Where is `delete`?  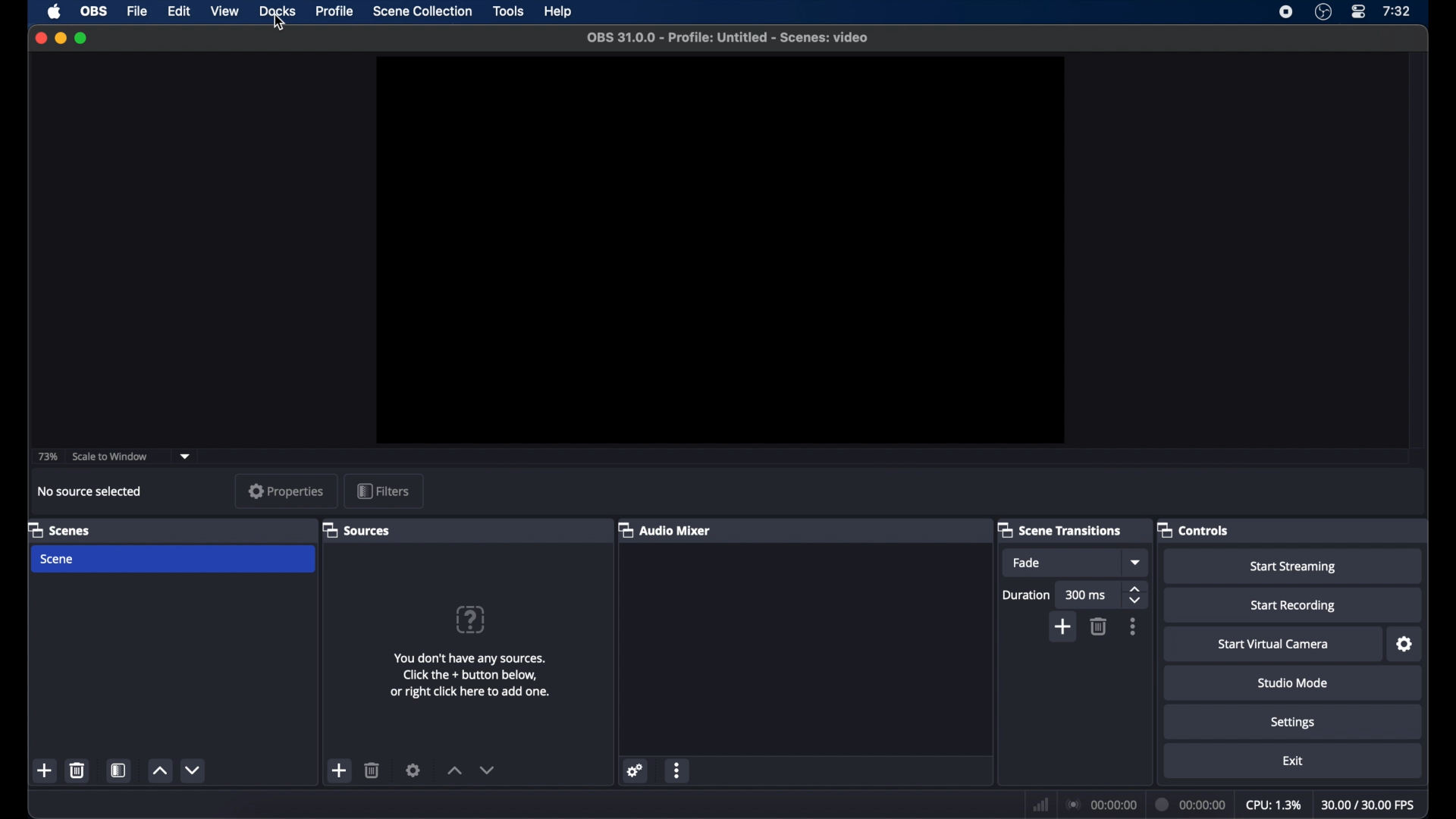
delete is located at coordinates (372, 770).